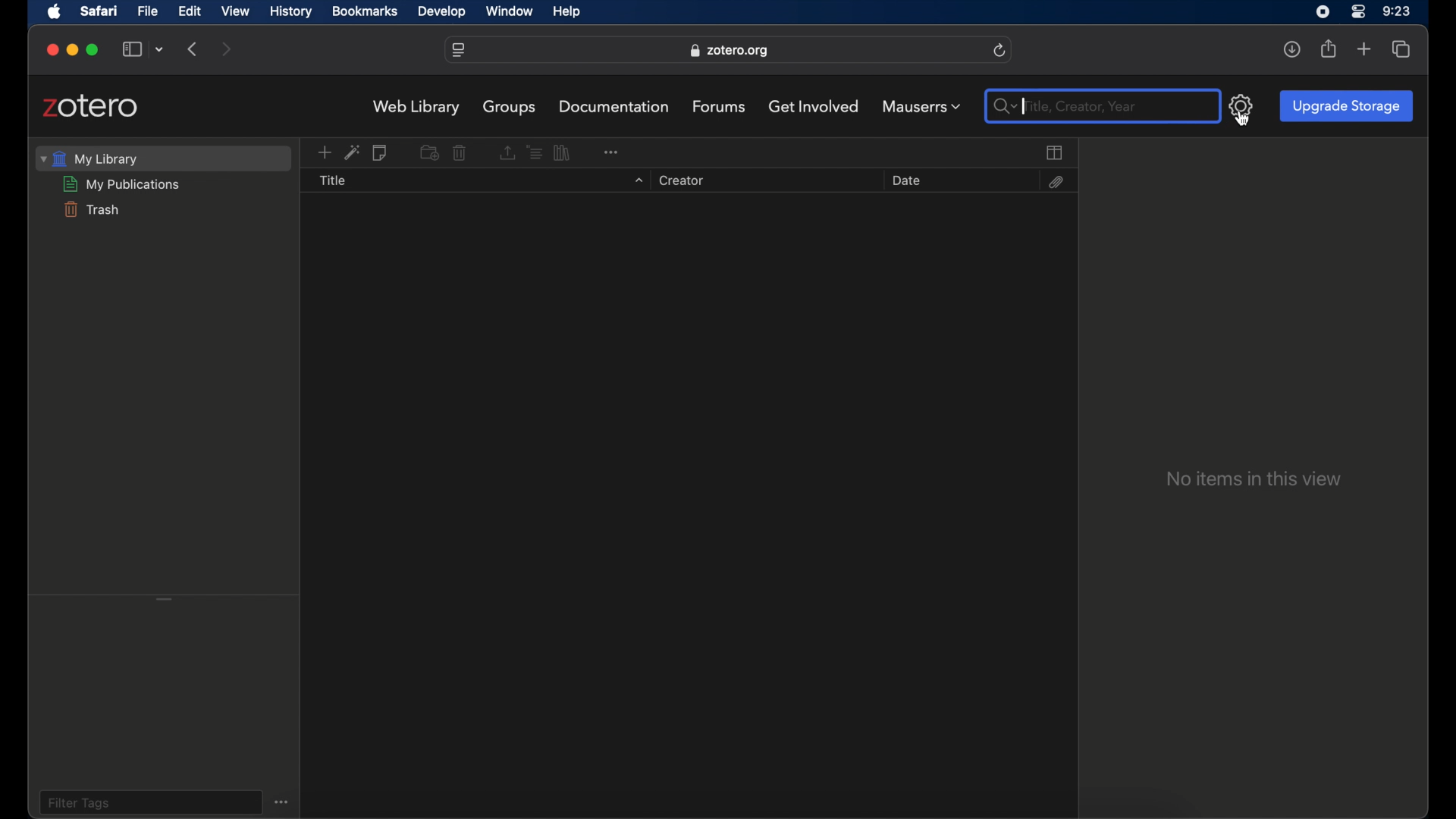 The image size is (1456, 819). Describe the element at coordinates (161, 50) in the screenshot. I see `tab group picker` at that location.